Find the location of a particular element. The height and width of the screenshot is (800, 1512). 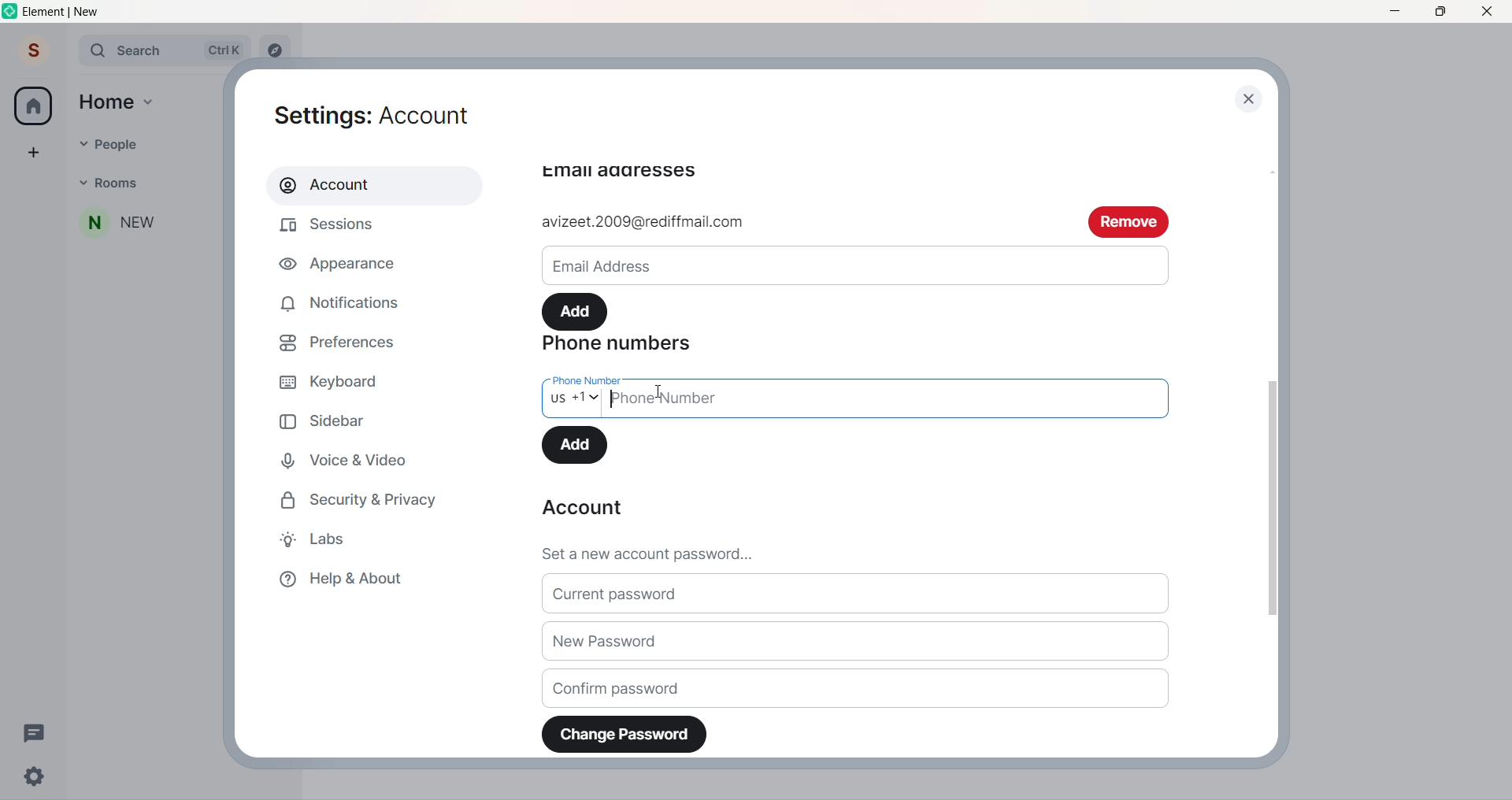

Threads is located at coordinates (35, 731).